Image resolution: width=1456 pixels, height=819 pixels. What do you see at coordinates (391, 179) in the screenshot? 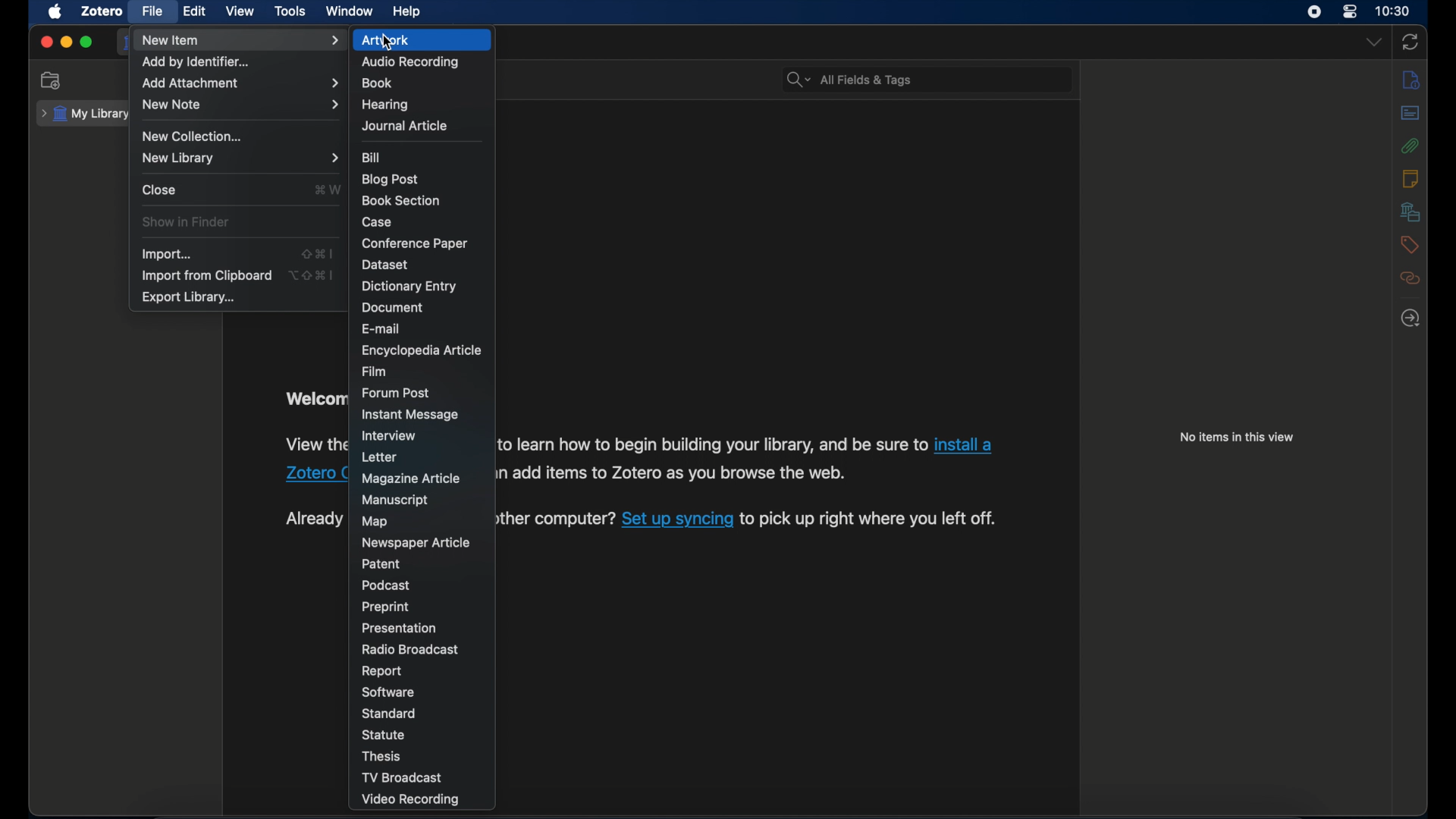
I see `blog post` at bounding box center [391, 179].